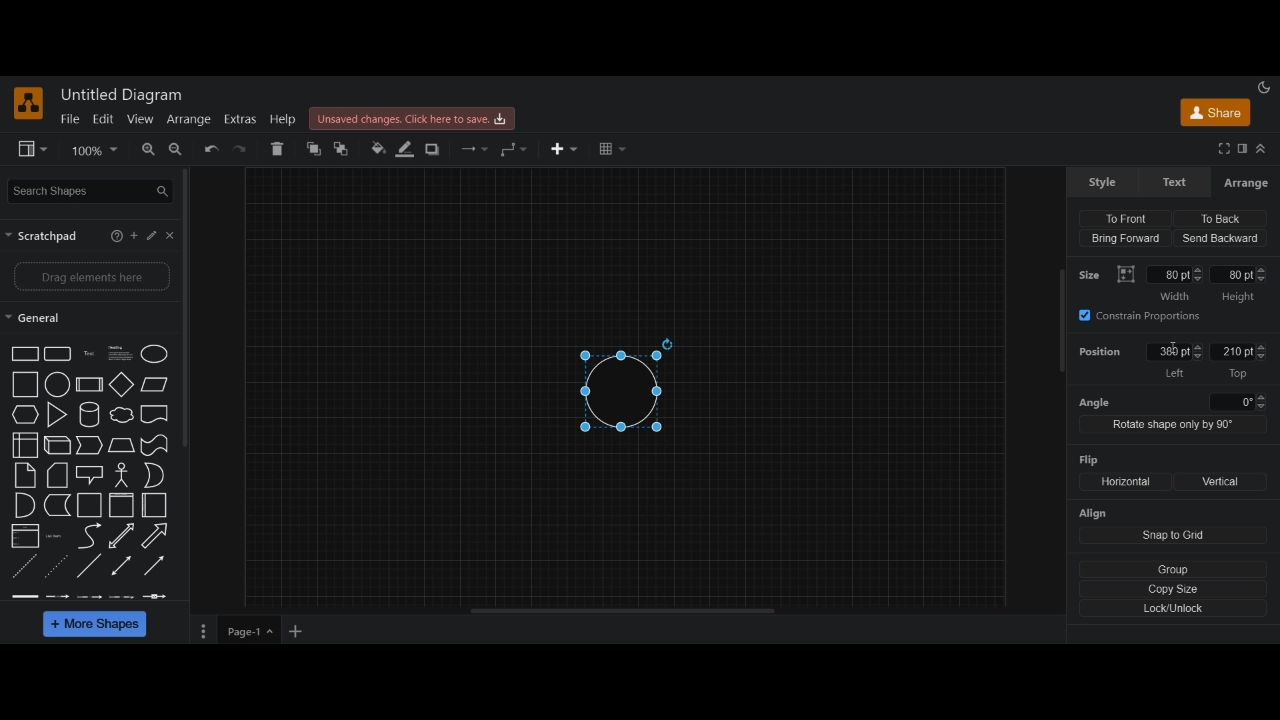 The width and height of the screenshot is (1280, 720). I want to click on text, so click(1177, 182).